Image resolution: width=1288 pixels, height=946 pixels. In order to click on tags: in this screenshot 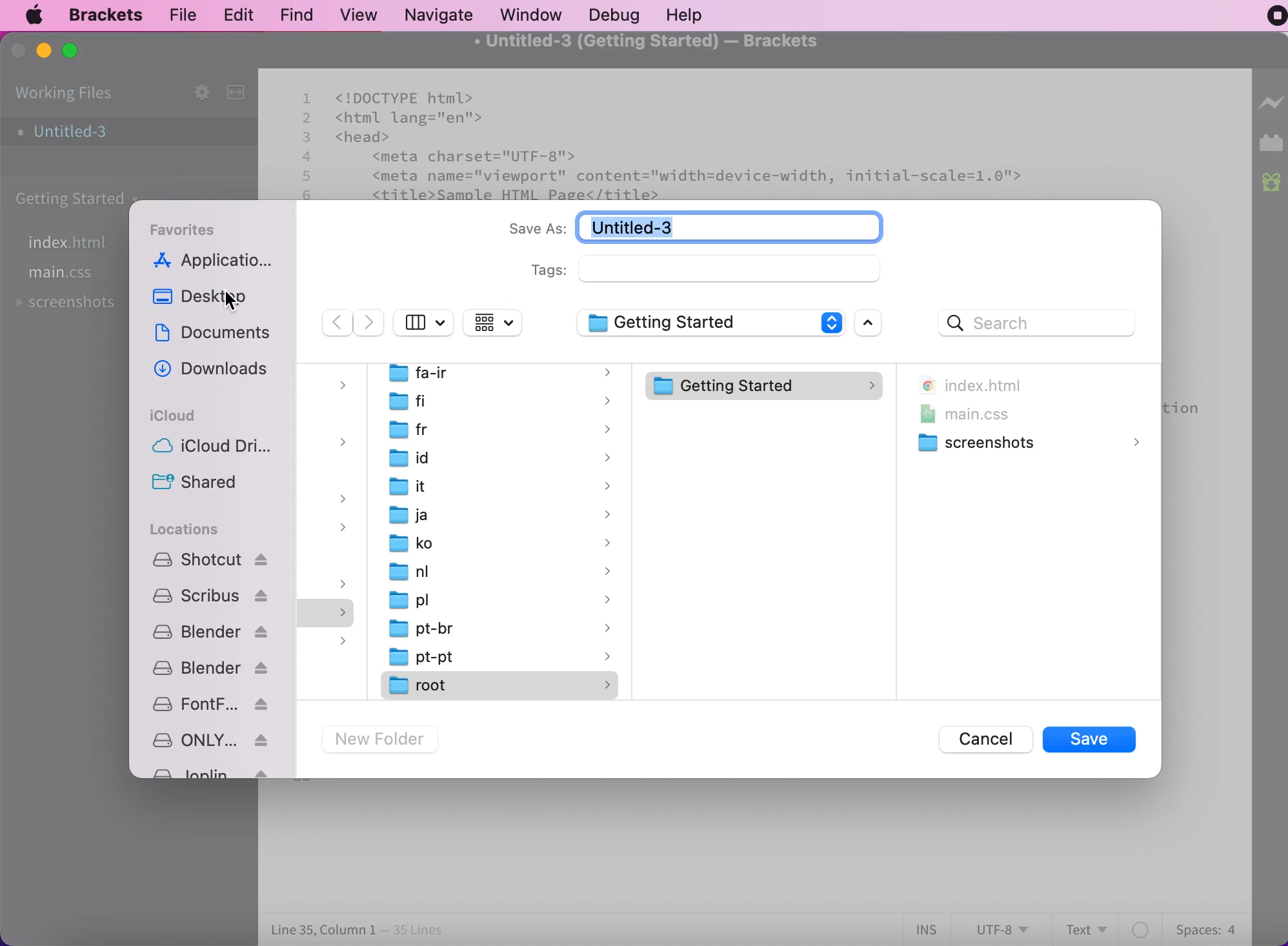, I will do `click(716, 277)`.